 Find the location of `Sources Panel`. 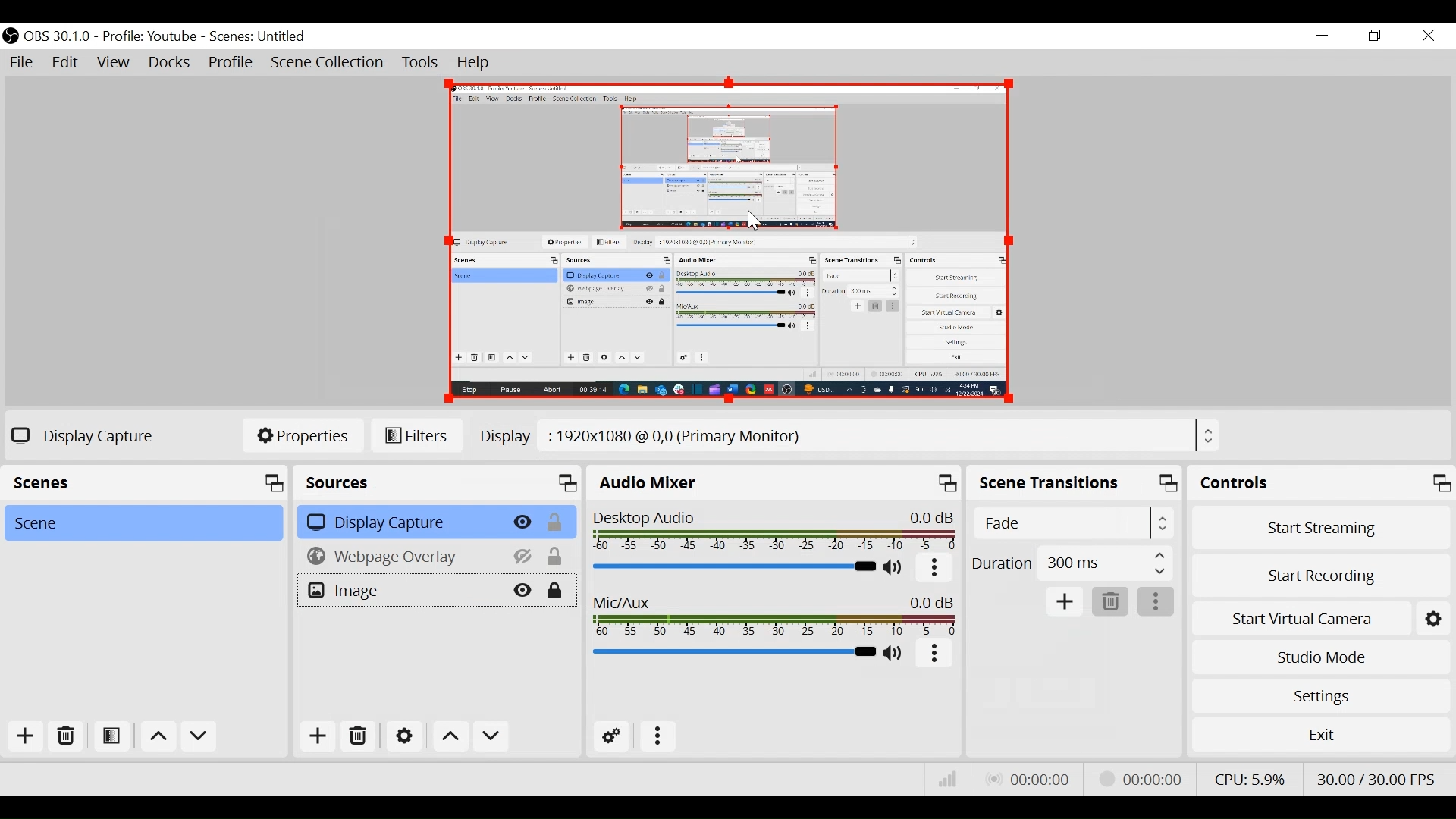

Sources Panel is located at coordinates (438, 482).